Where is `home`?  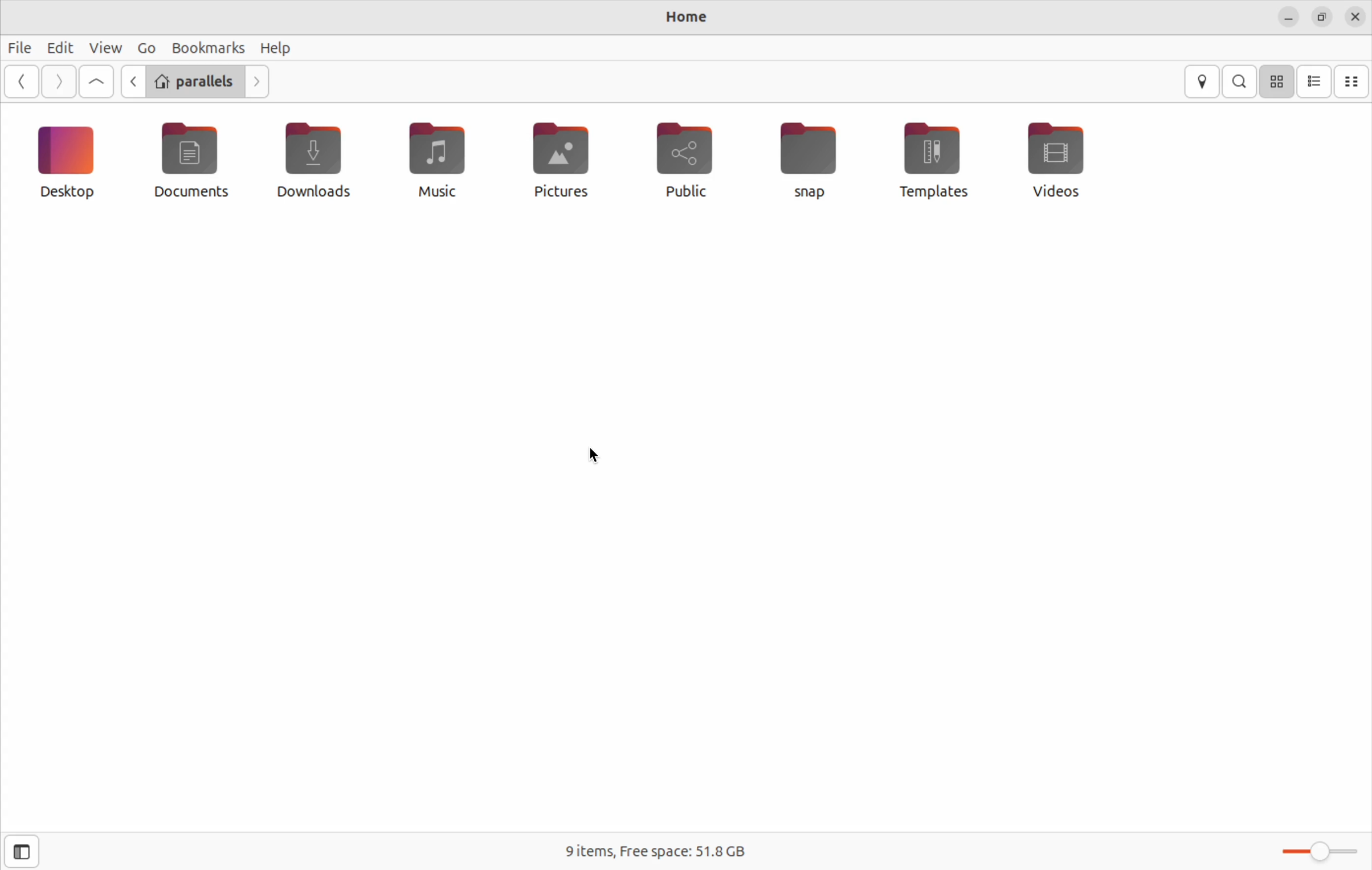
home is located at coordinates (682, 18).